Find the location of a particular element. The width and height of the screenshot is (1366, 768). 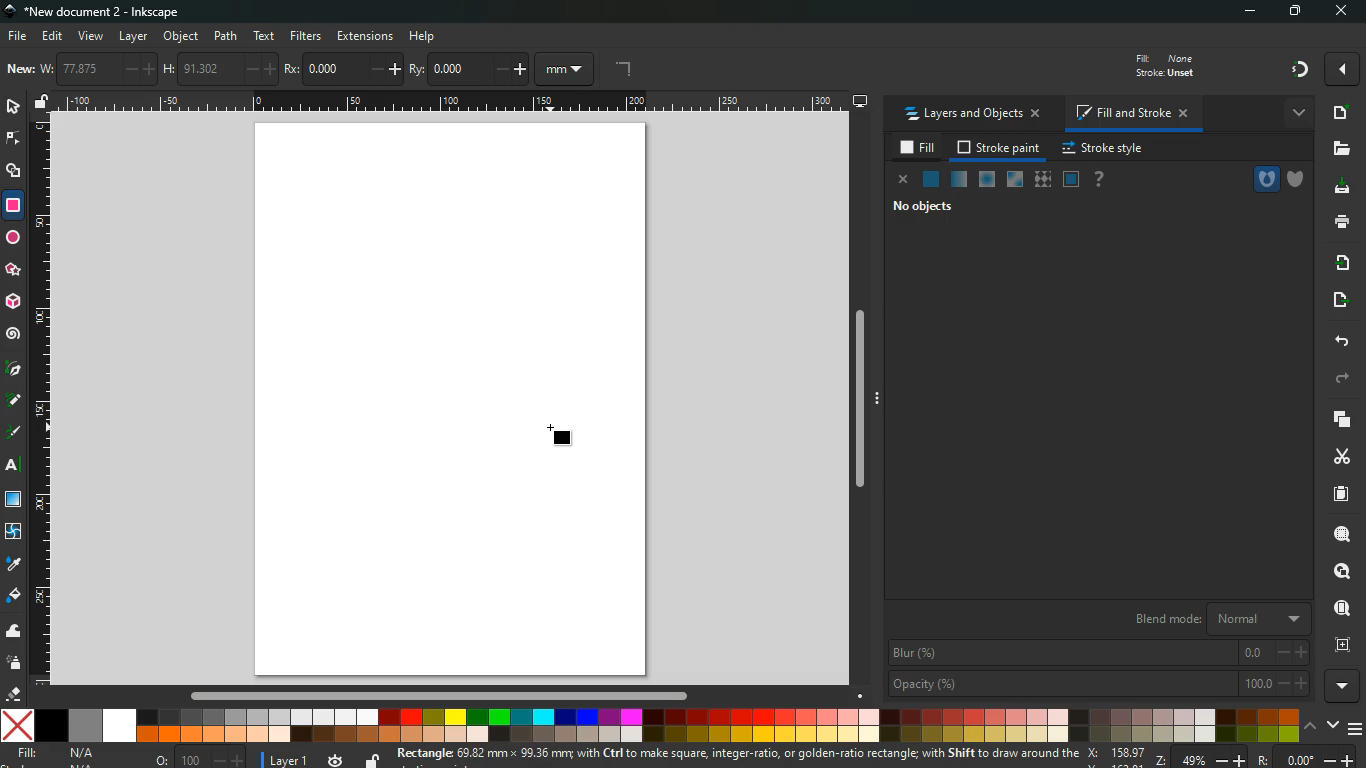

fill and stroke is located at coordinates (1132, 112).